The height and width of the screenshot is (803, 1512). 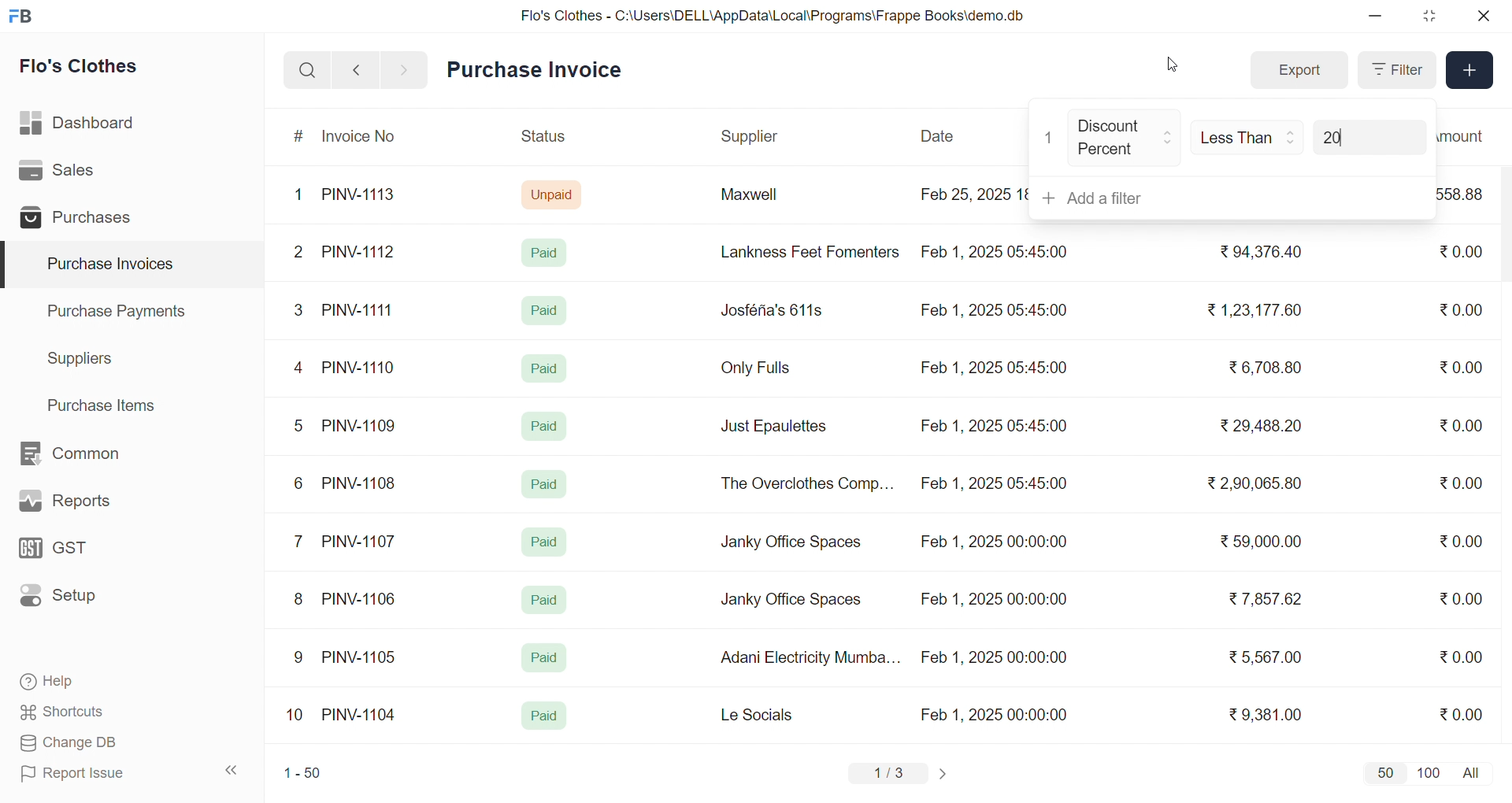 What do you see at coordinates (1429, 16) in the screenshot?
I see `resize` at bounding box center [1429, 16].